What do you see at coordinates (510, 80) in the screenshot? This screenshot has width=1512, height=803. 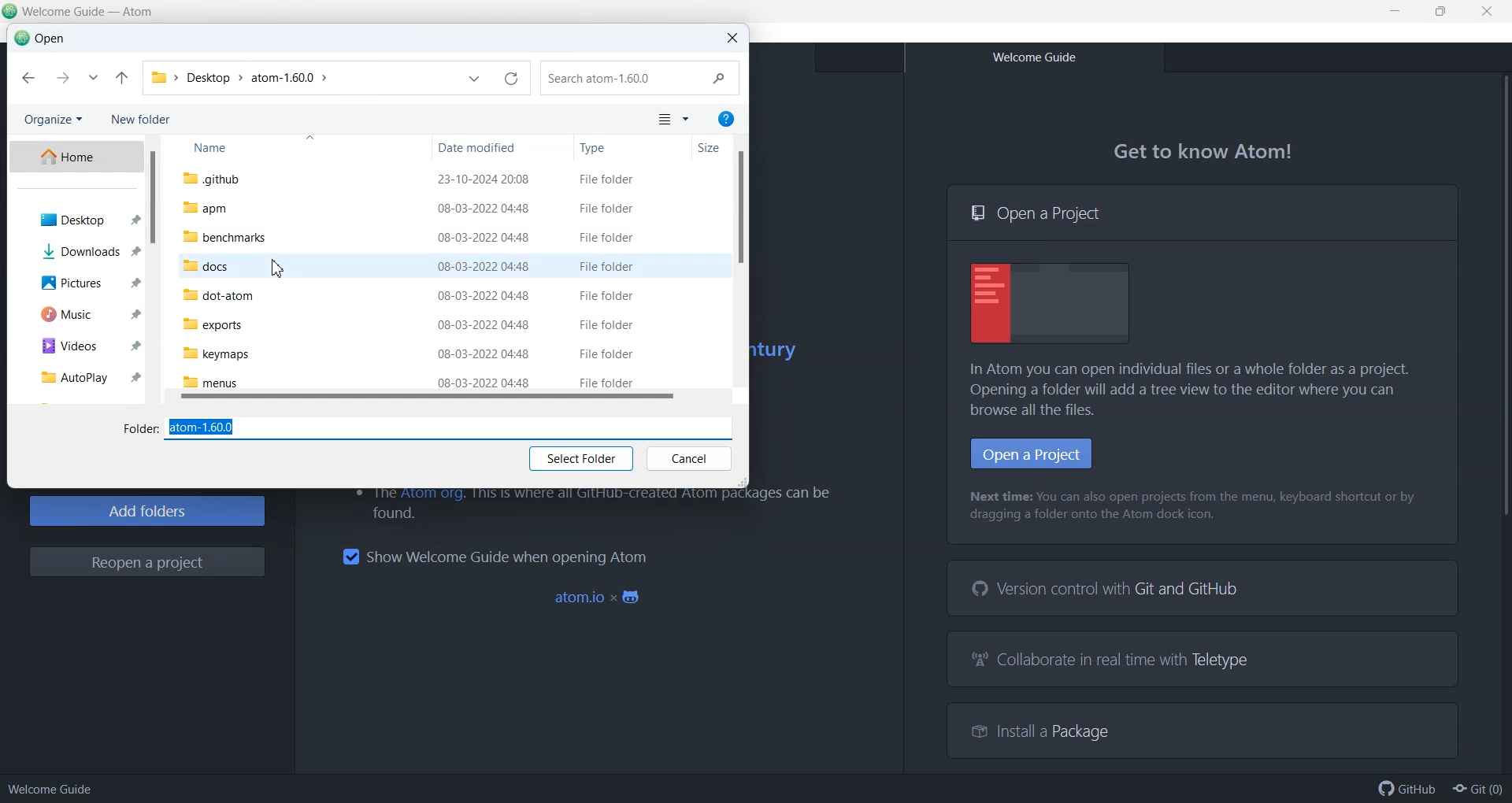 I see `Reload` at bounding box center [510, 80].